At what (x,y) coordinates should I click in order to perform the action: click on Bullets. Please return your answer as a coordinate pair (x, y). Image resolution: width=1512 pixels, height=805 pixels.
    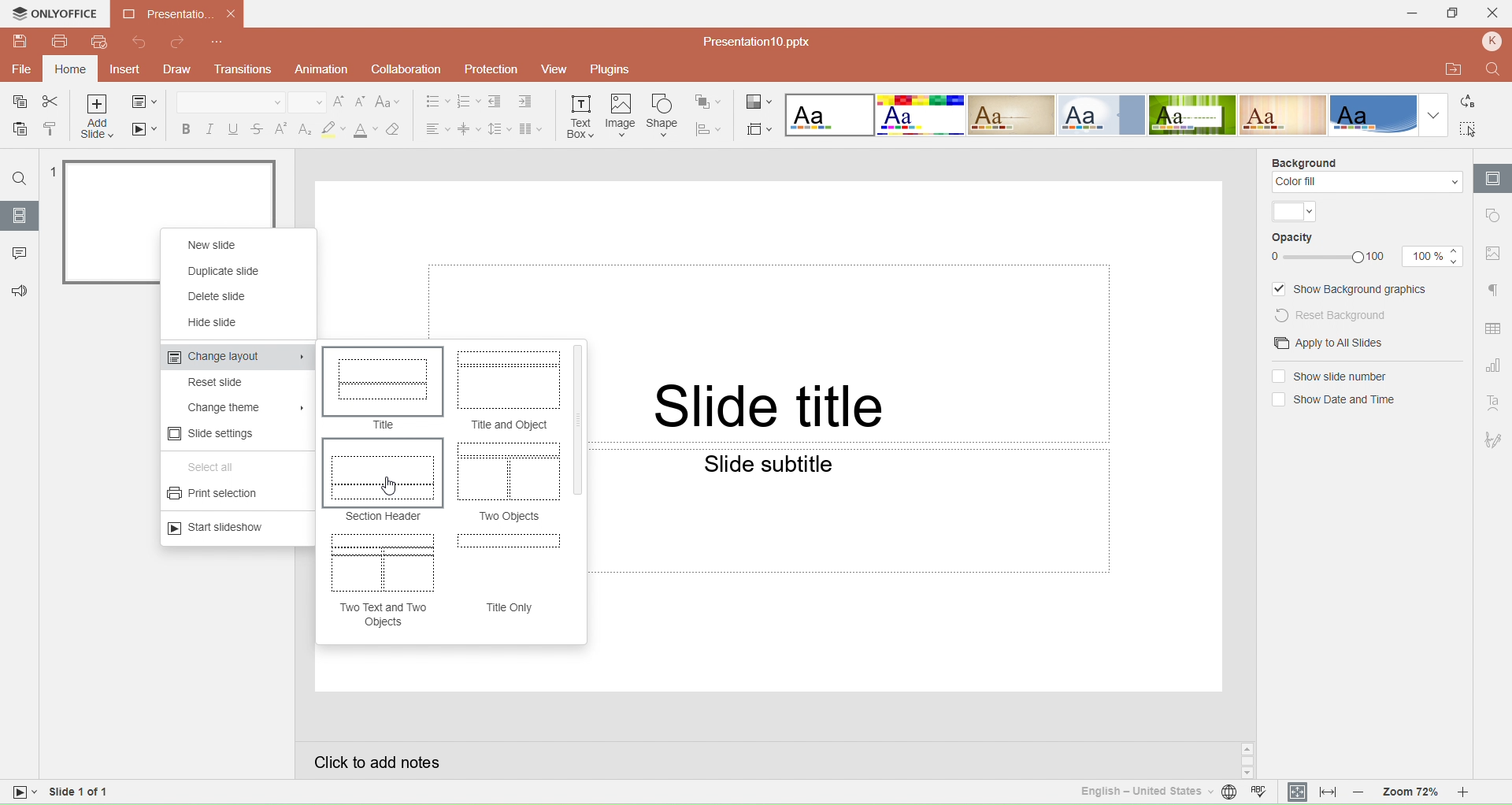
    Looking at the image, I should click on (432, 102).